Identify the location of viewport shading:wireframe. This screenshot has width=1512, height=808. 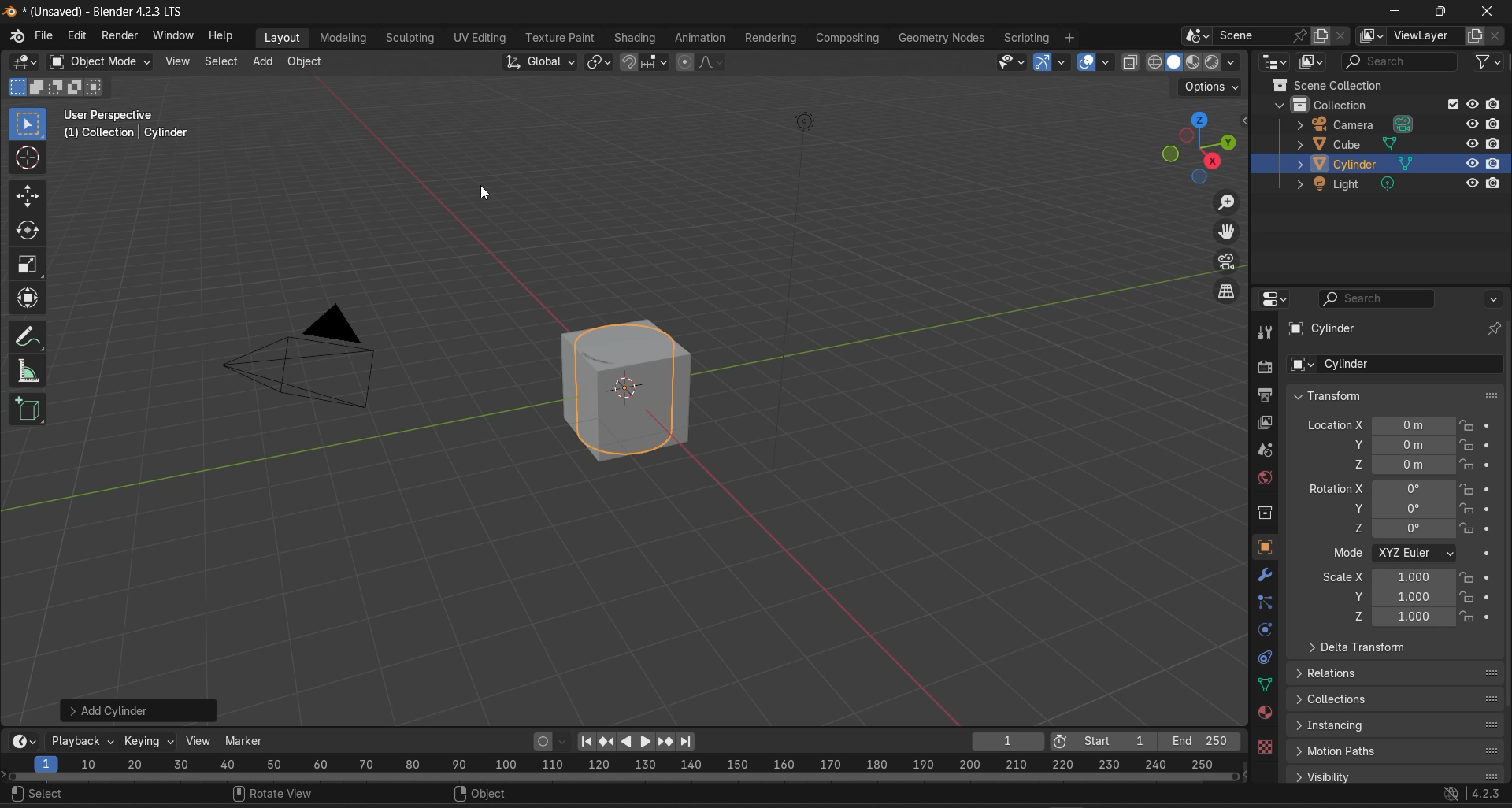
(1151, 61).